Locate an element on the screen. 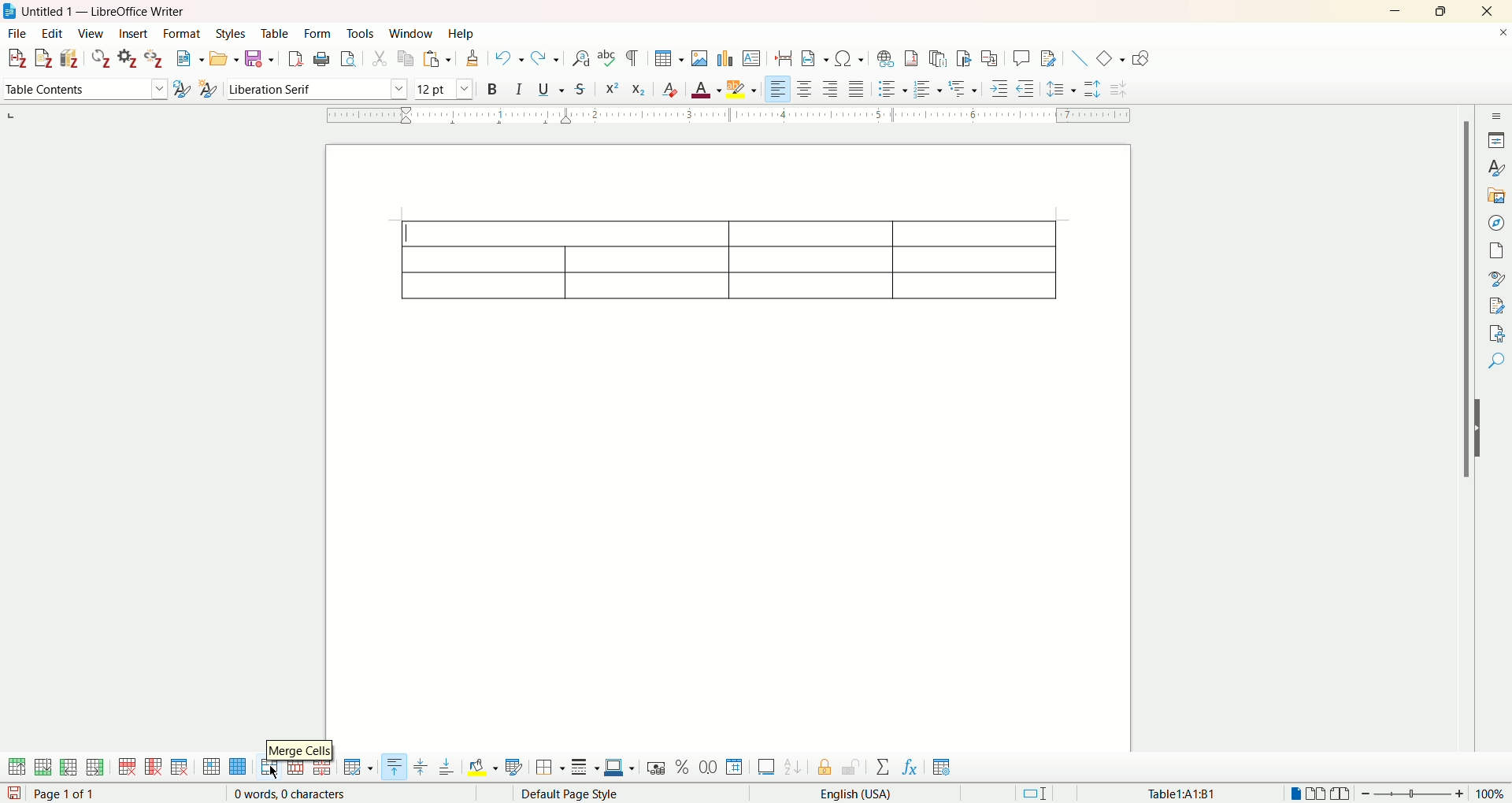 This screenshot has width=1512, height=803. protect cell is located at coordinates (825, 764).